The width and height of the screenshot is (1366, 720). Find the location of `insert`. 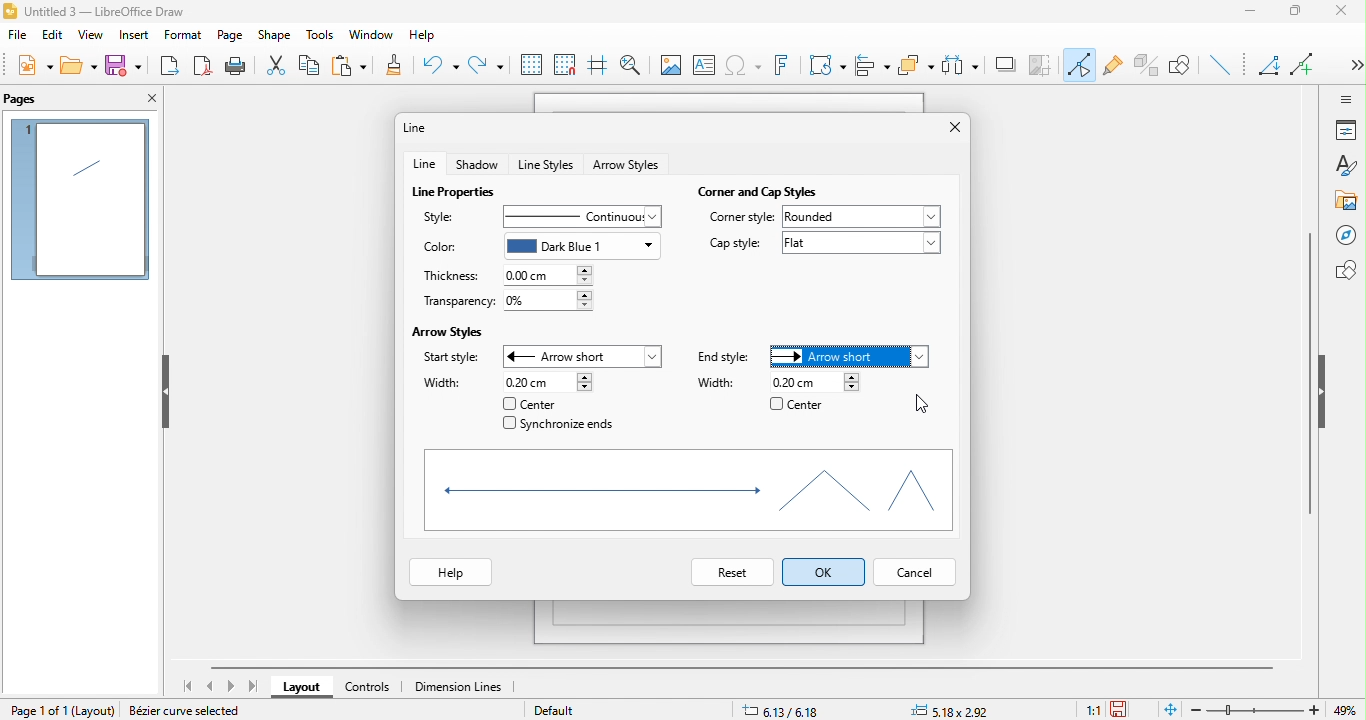

insert is located at coordinates (132, 37).